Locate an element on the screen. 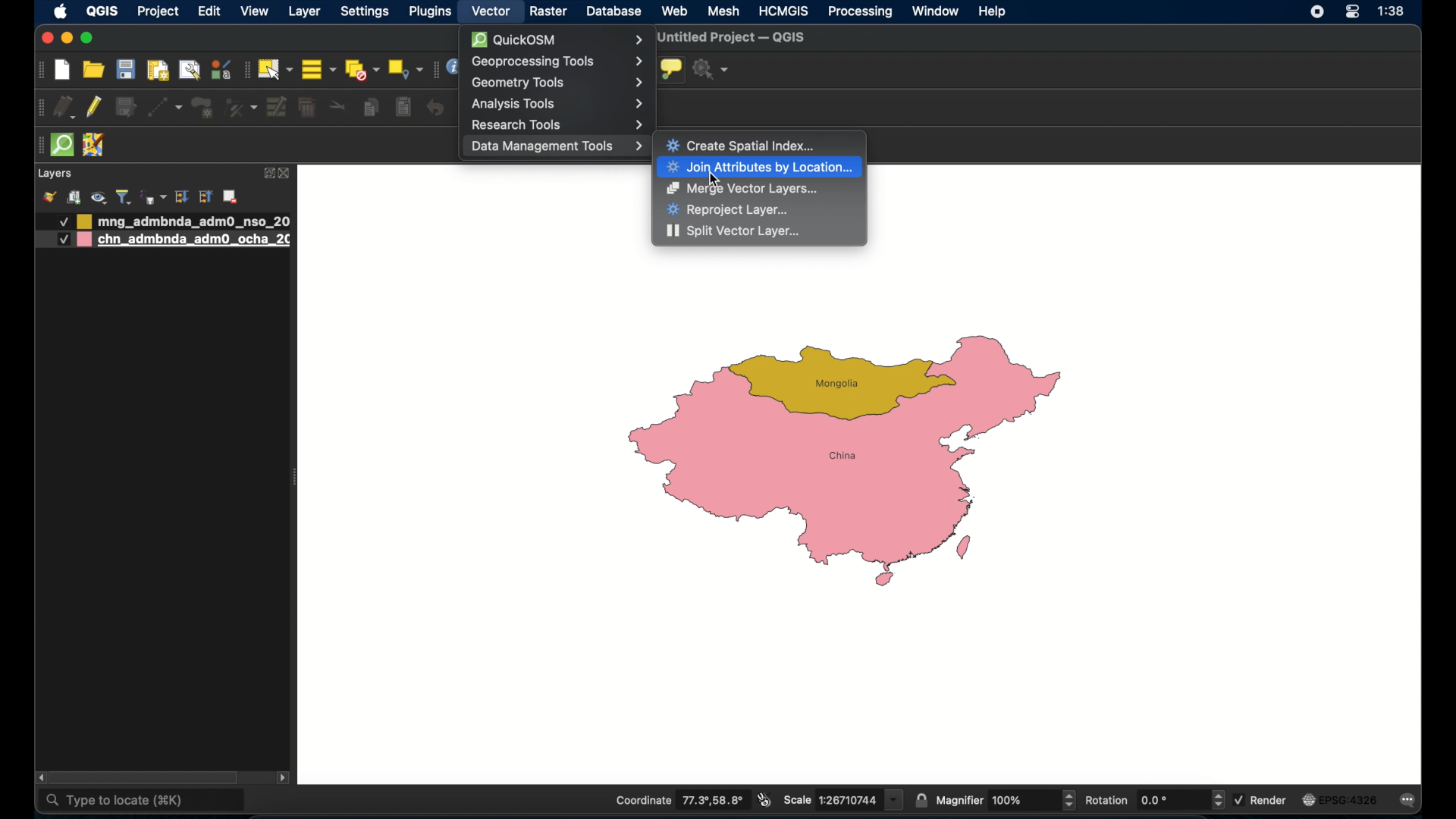 This screenshot has width=1456, height=819. settings is located at coordinates (366, 12).